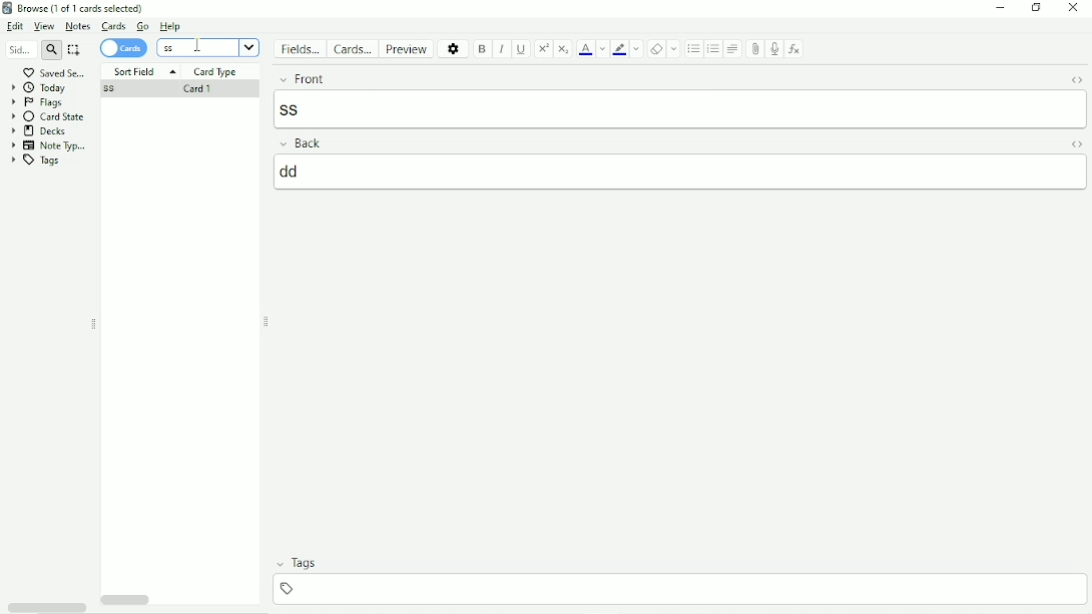 This screenshot has width=1092, height=614. I want to click on Card Type, so click(215, 72).